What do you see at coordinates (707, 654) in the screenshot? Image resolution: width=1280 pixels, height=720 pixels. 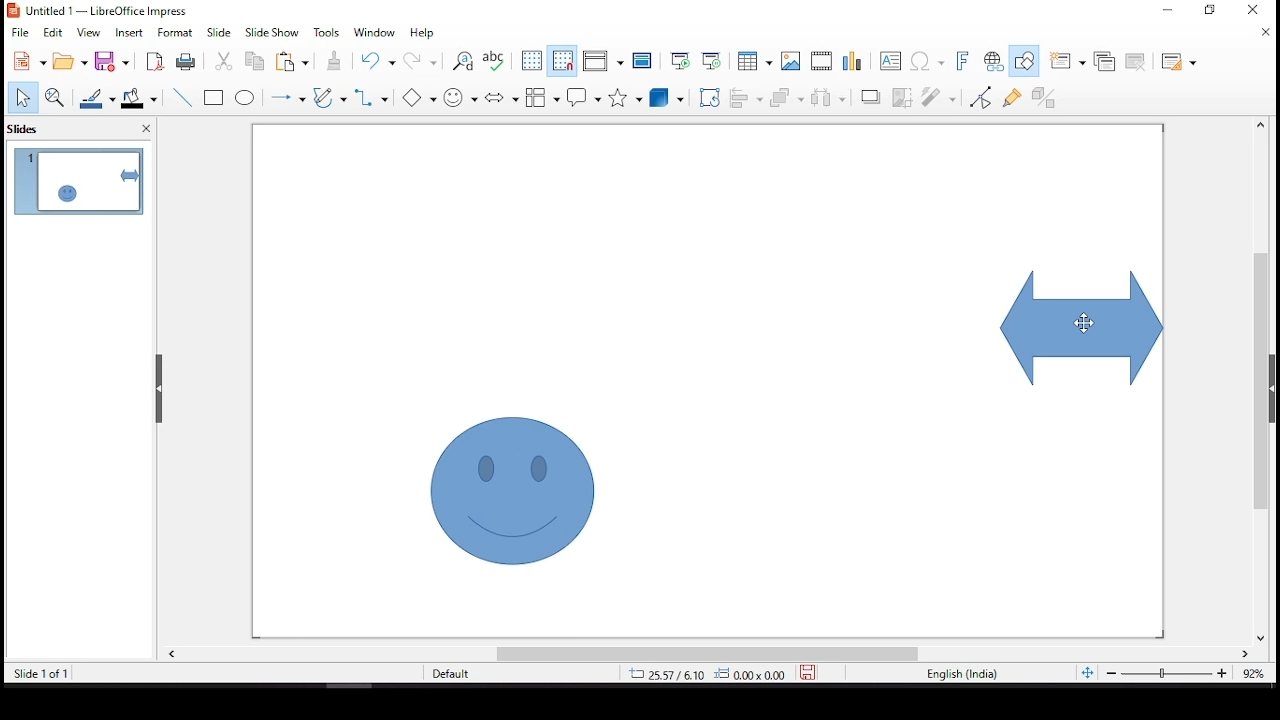 I see `scroll bar` at bounding box center [707, 654].